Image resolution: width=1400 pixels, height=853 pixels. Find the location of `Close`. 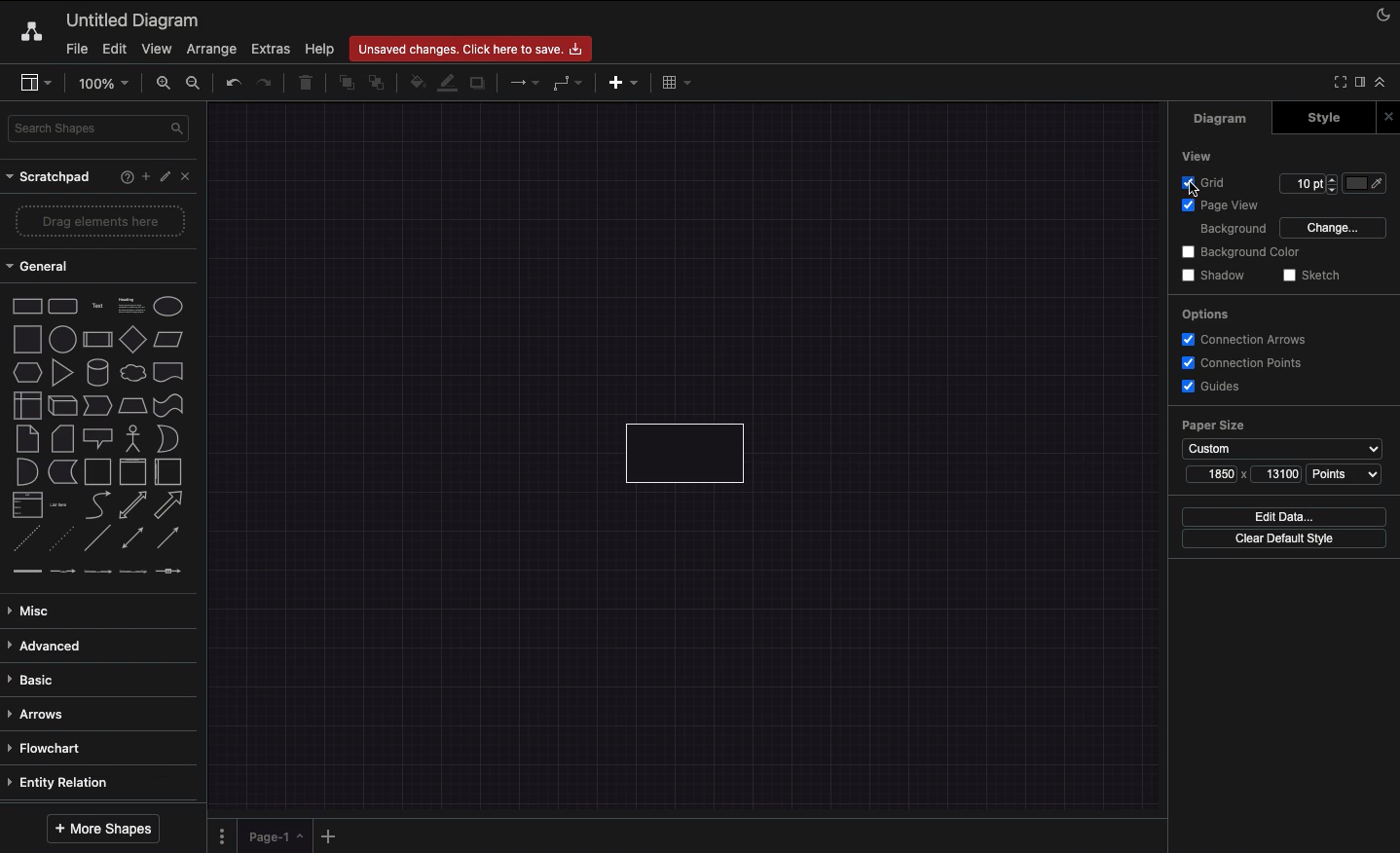

Close is located at coordinates (1391, 115).